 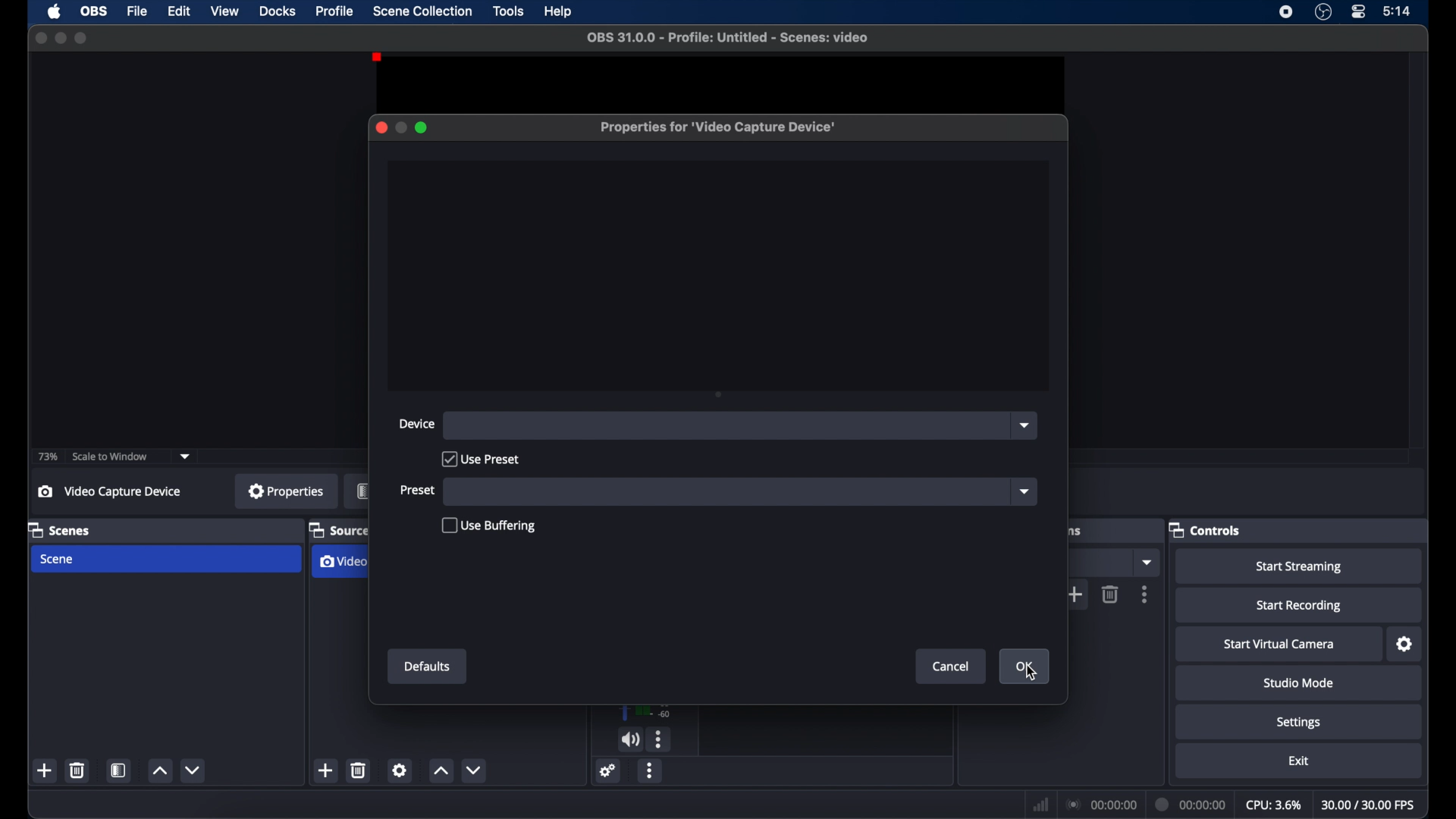 I want to click on Sound, so click(x=631, y=739).